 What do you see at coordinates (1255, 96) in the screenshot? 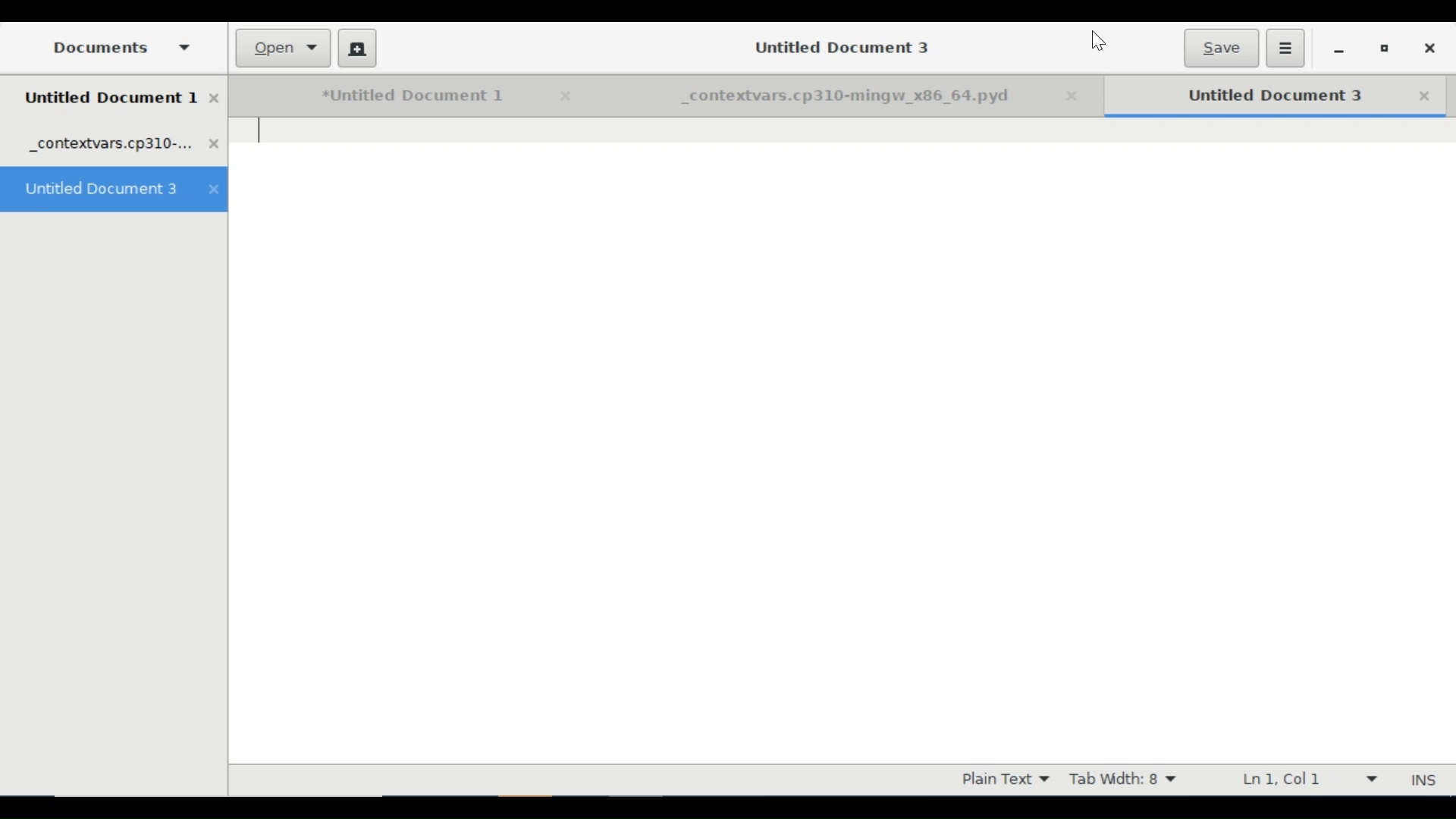
I see `Untitled Document Tab` at bounding box center [1255, 96].